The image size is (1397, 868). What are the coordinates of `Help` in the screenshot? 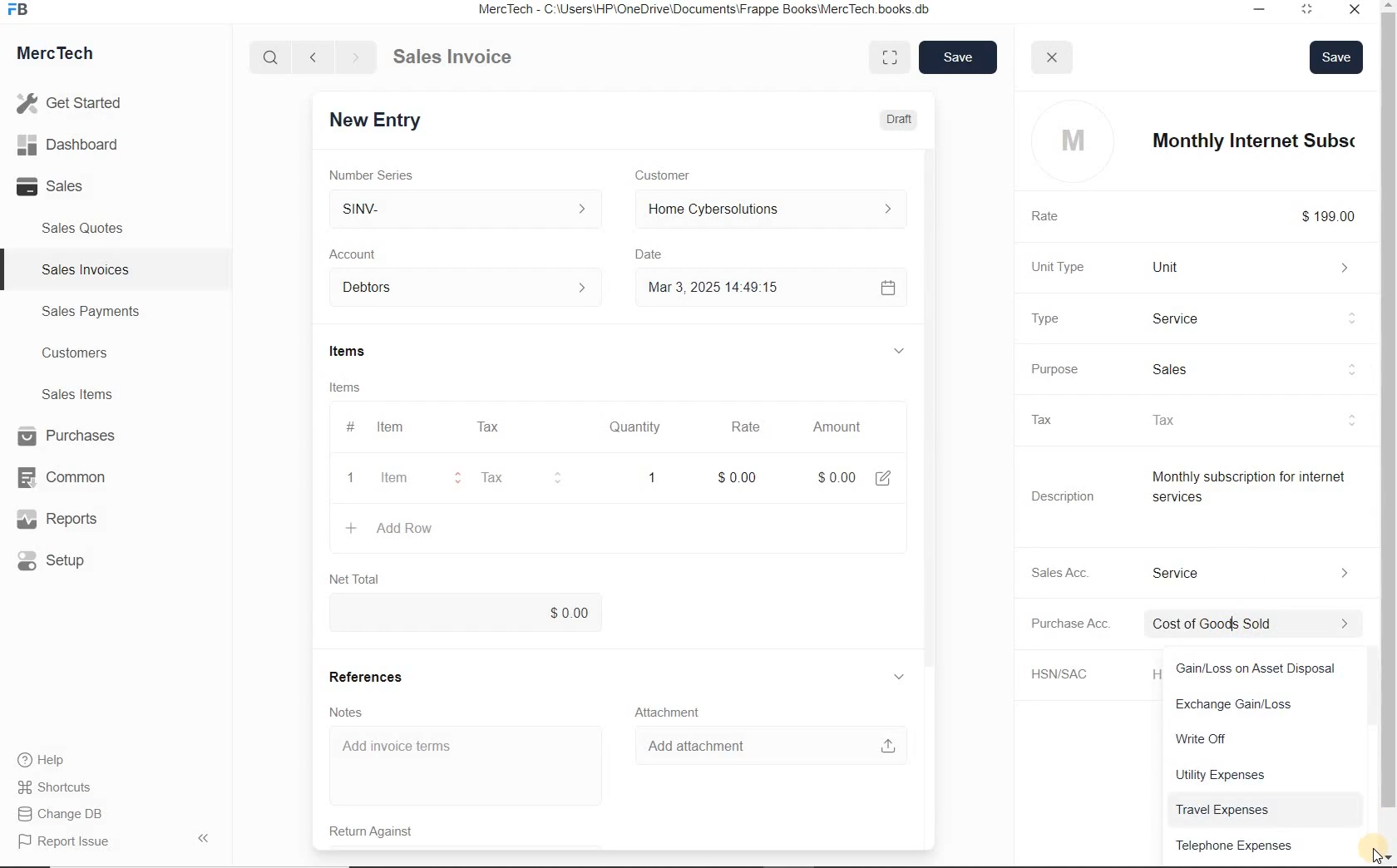 It's located at (50, 760).